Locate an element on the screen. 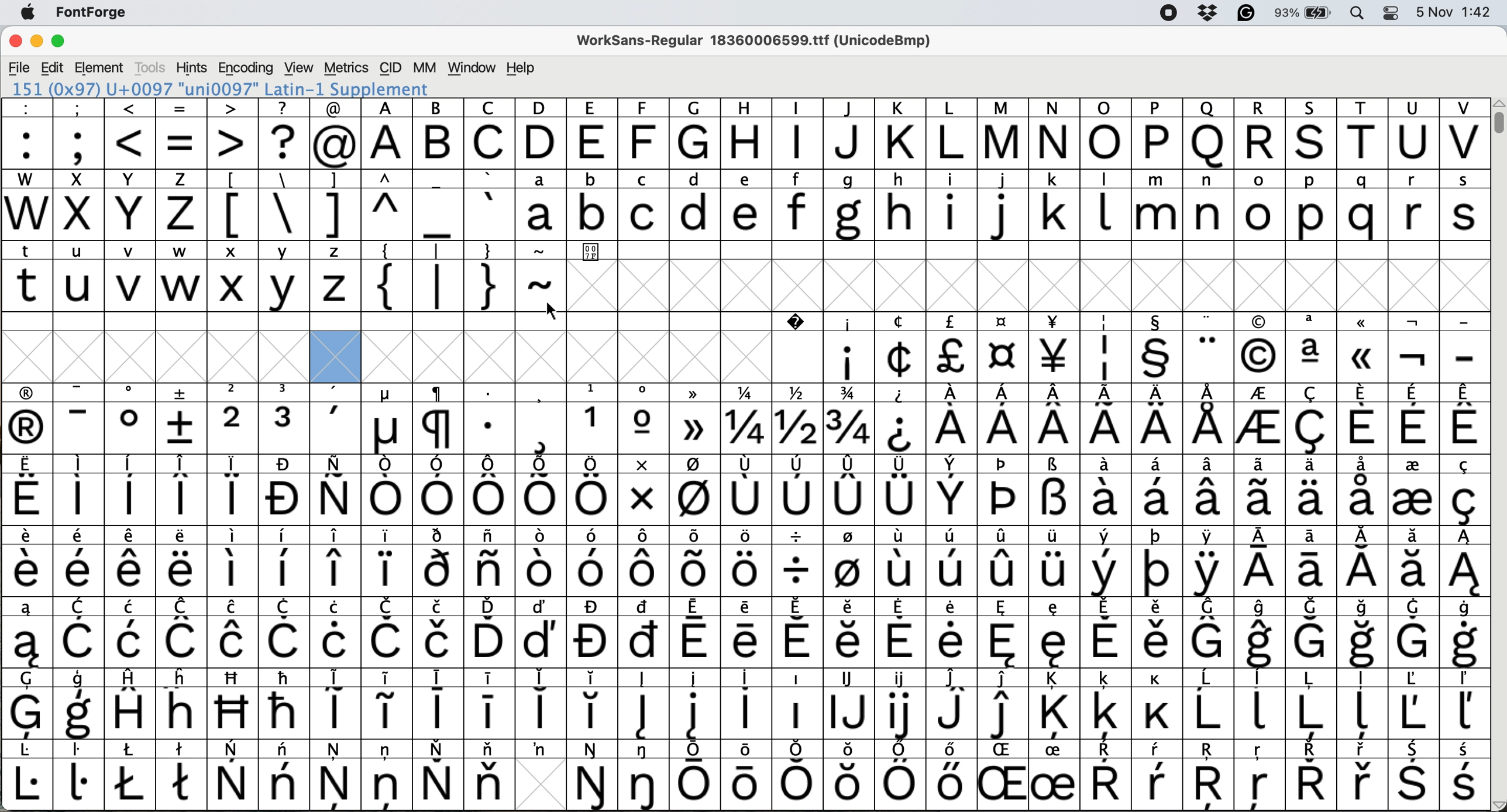  symbol is located at coordinates (1105, 563).